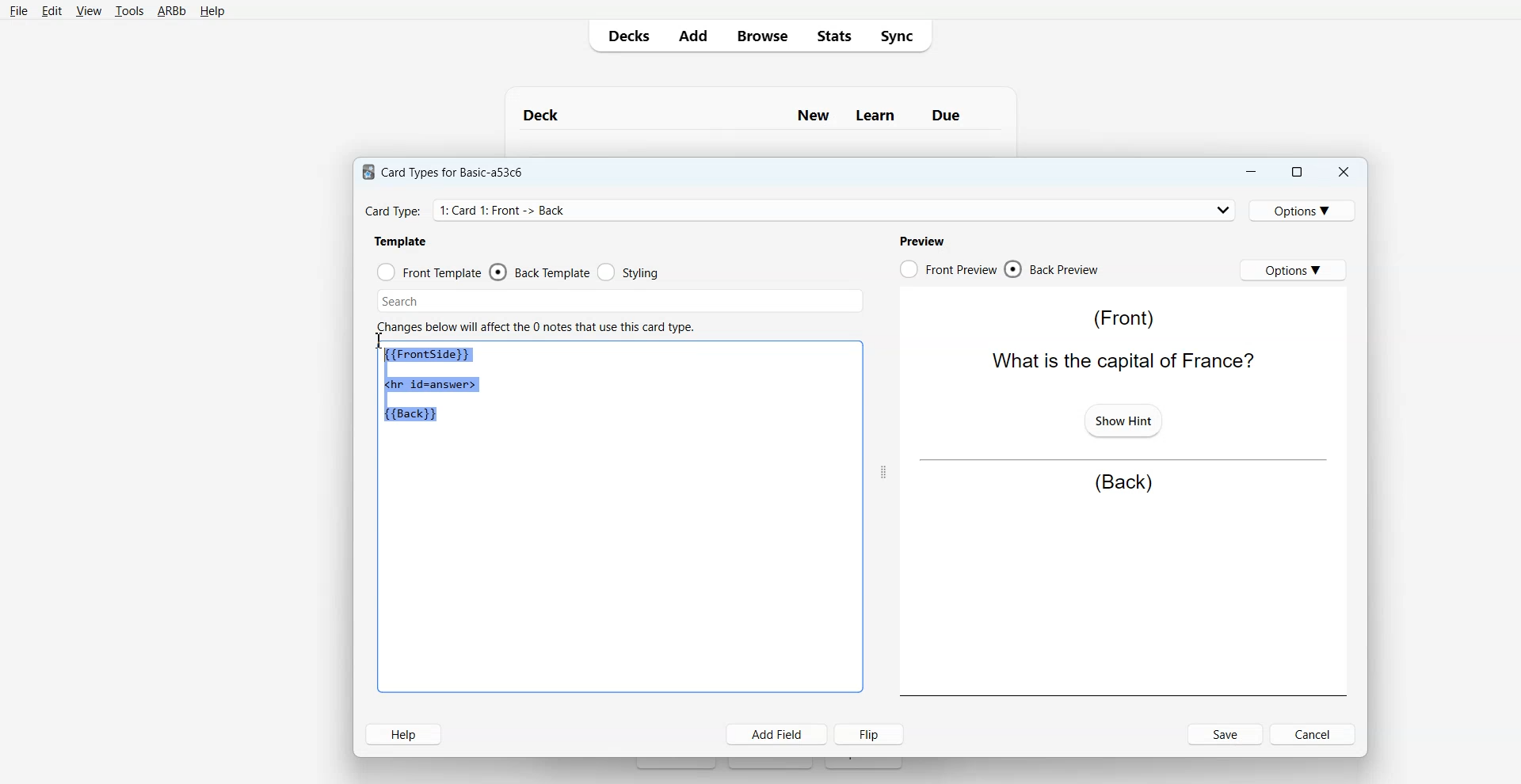 The image size is (1521, 784). I want to click on Sync, so click(902, 35).